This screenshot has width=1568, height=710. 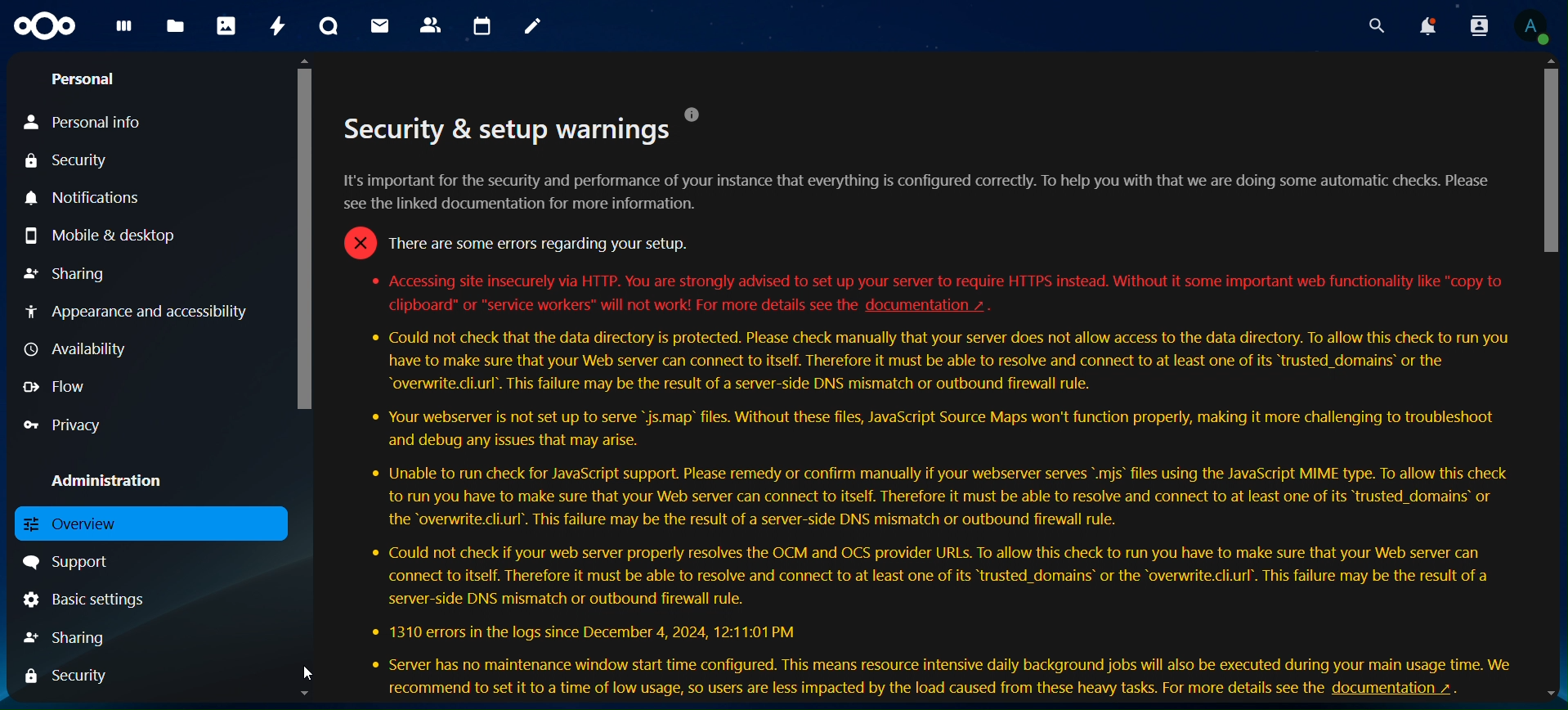 I want to click on appearance and accessibilty, so click(x=140, y=312).